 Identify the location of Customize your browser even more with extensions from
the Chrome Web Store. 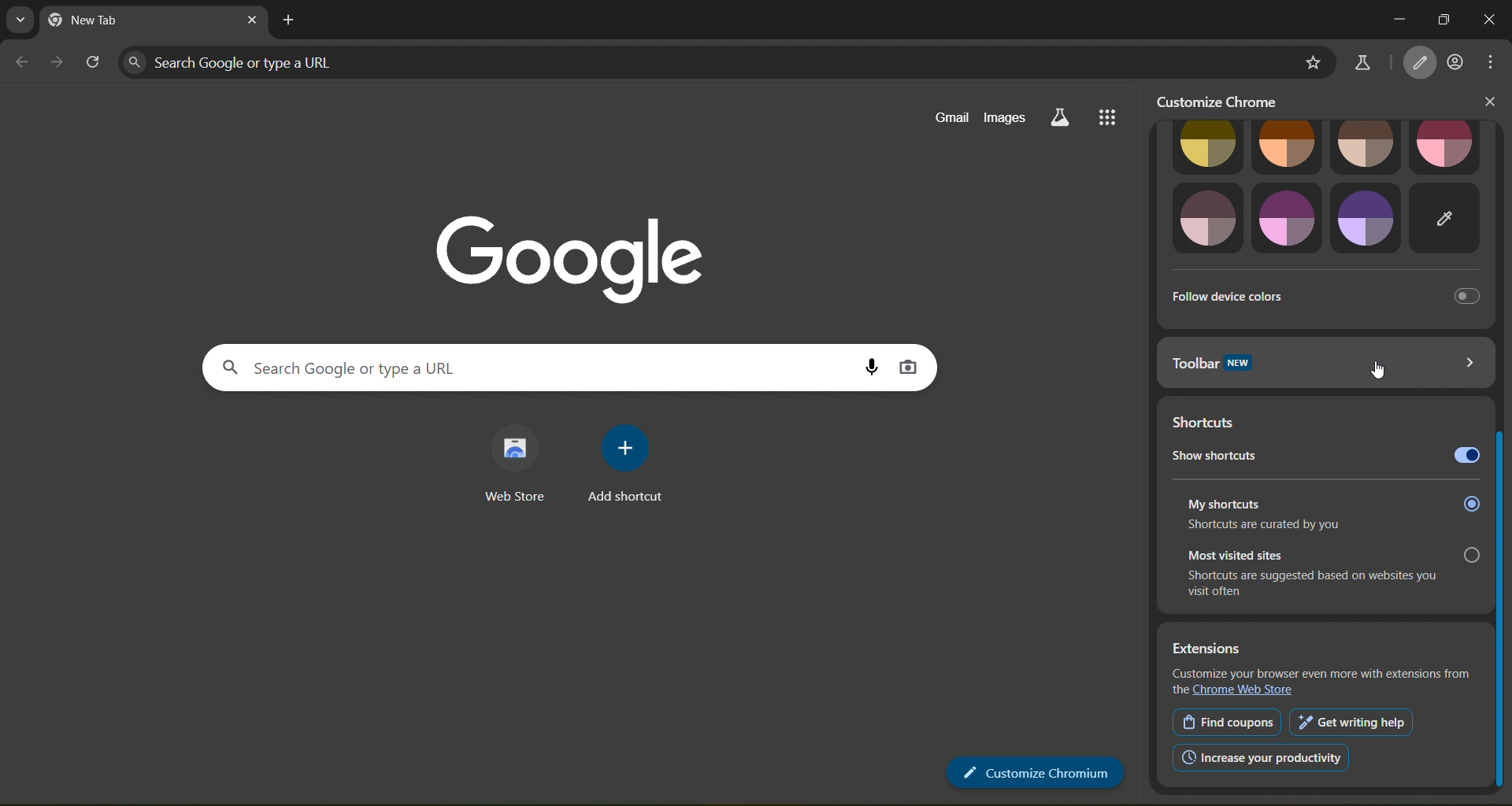
(1322, 683).